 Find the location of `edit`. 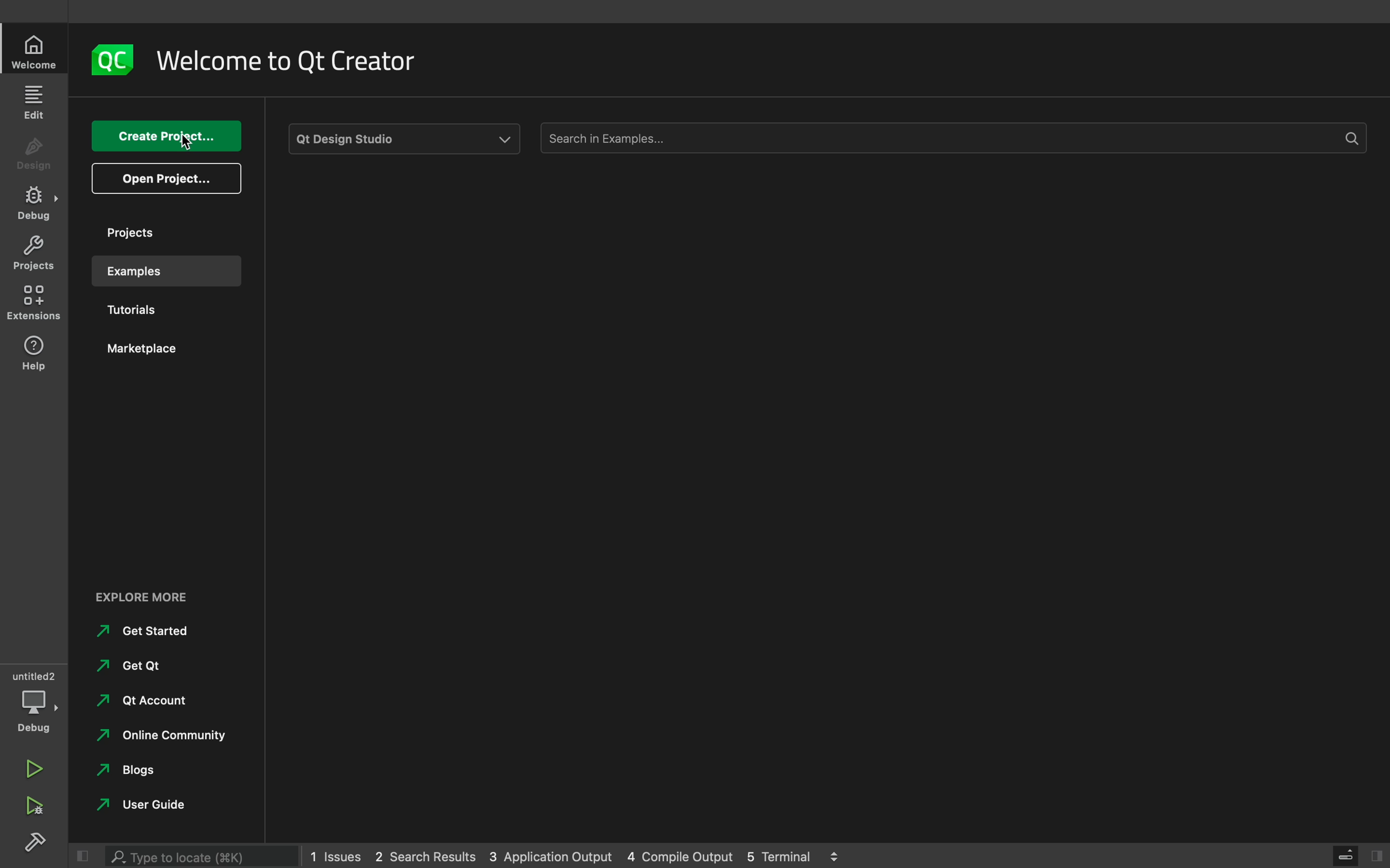

edit is located at coordinates (36, 101).